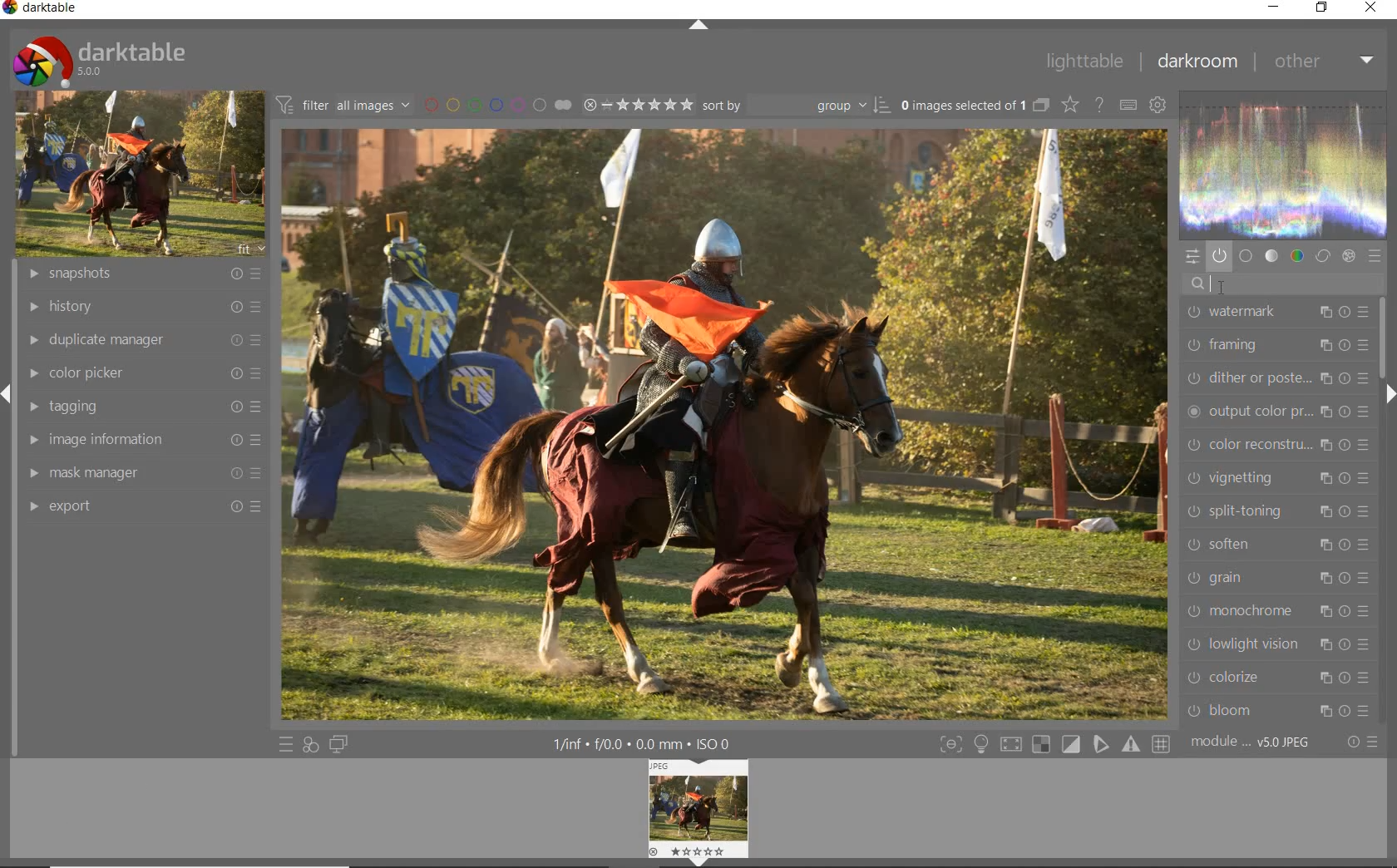 This screenshot has height=868, width=1397. I want to click on search modules, so click(1278, 283).